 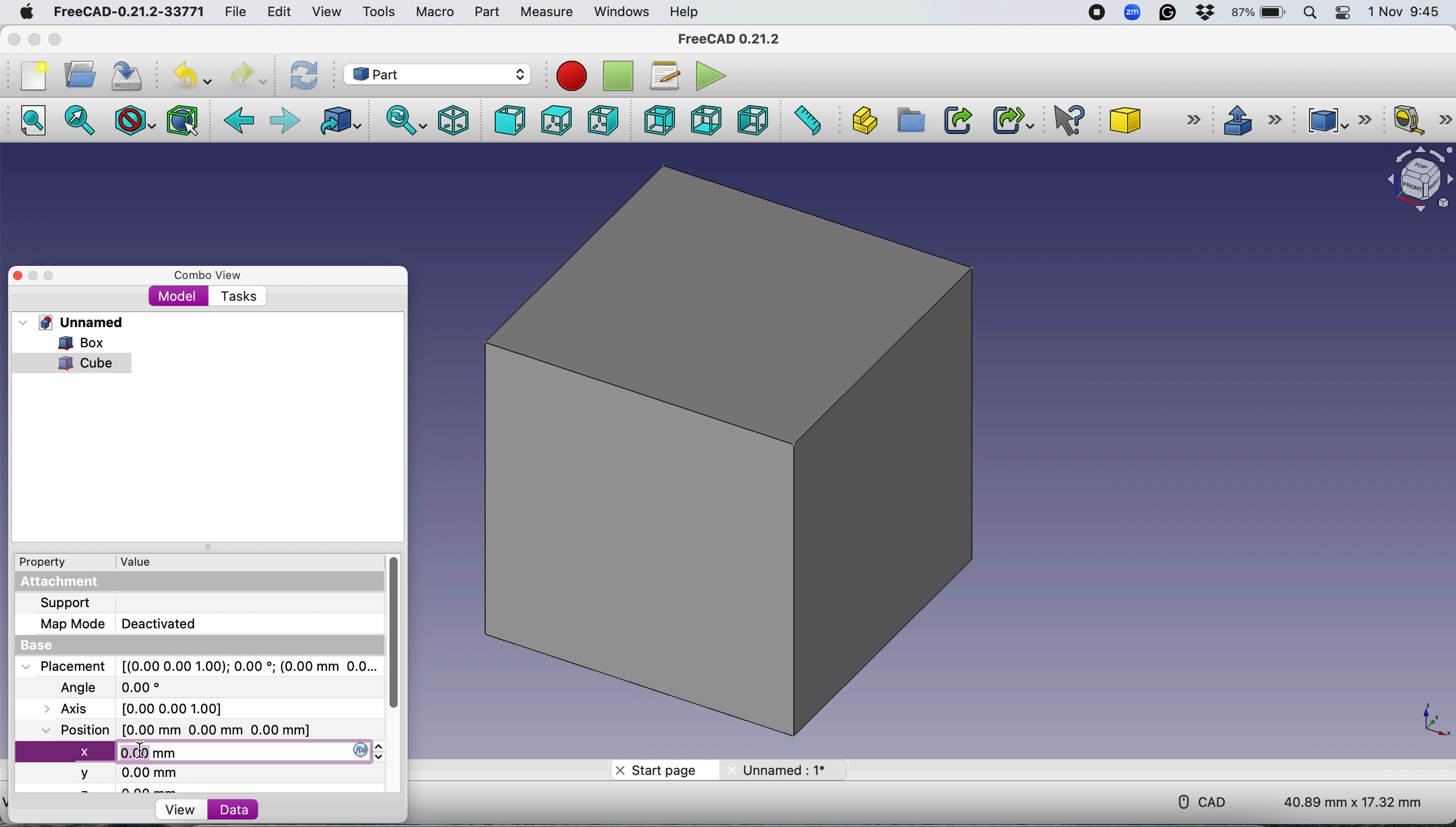 I want to click on Dropbox, so click(x=1206, y=14).